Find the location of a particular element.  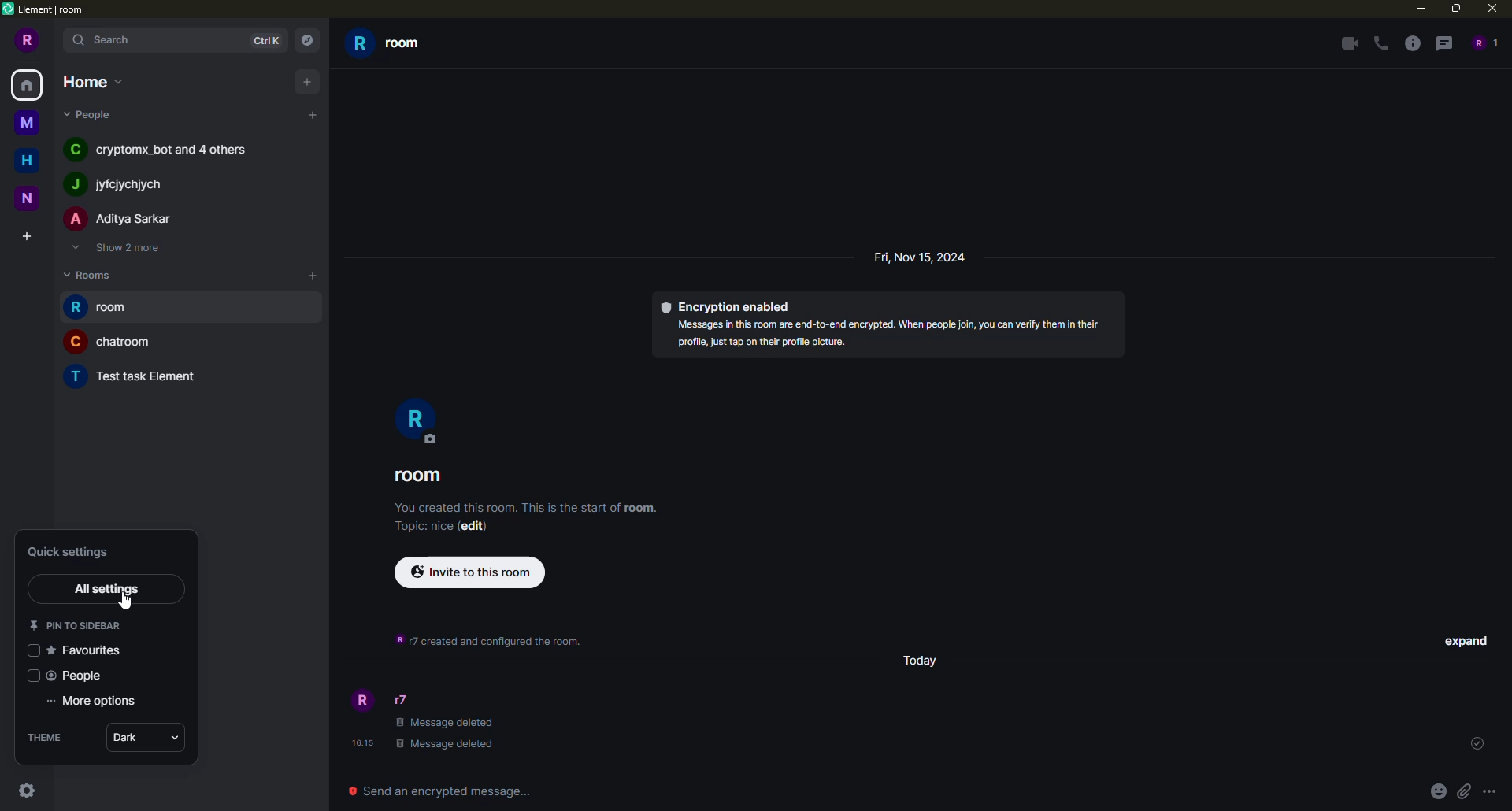

home is located at coordinates (94, 80).